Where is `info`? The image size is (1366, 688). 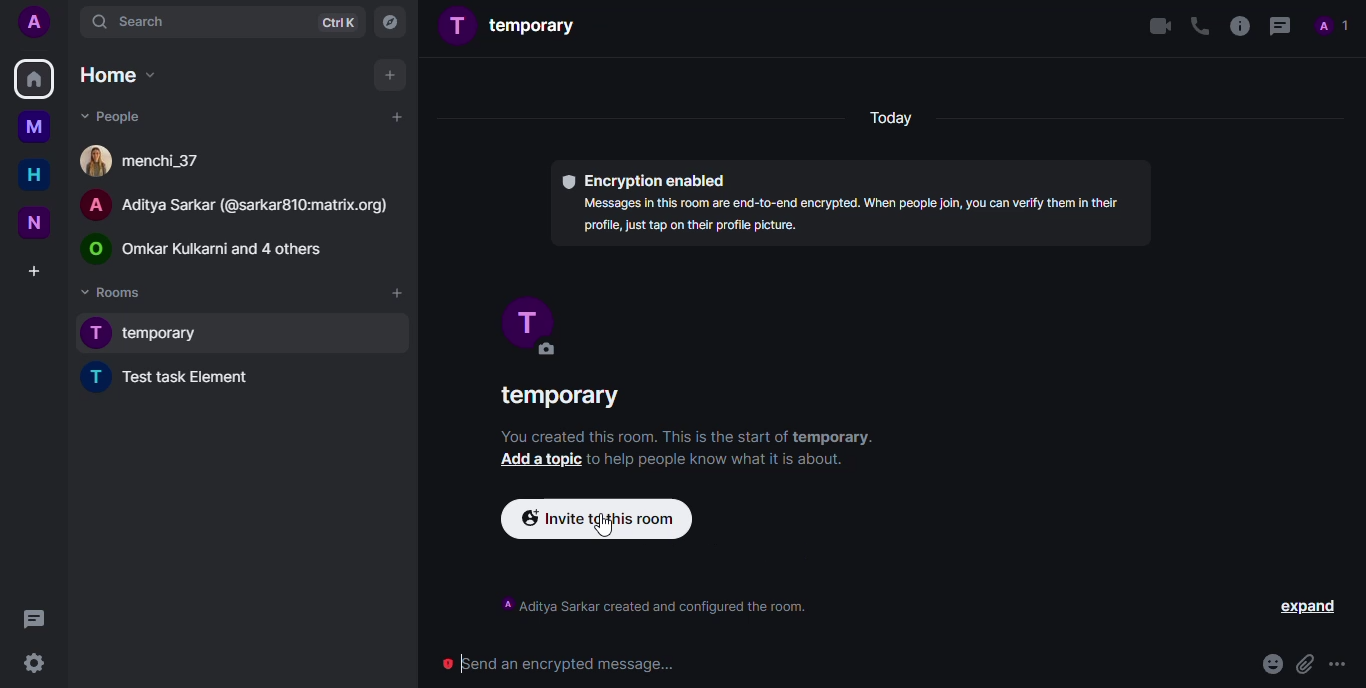
info is located at coordinates (1236, 27).